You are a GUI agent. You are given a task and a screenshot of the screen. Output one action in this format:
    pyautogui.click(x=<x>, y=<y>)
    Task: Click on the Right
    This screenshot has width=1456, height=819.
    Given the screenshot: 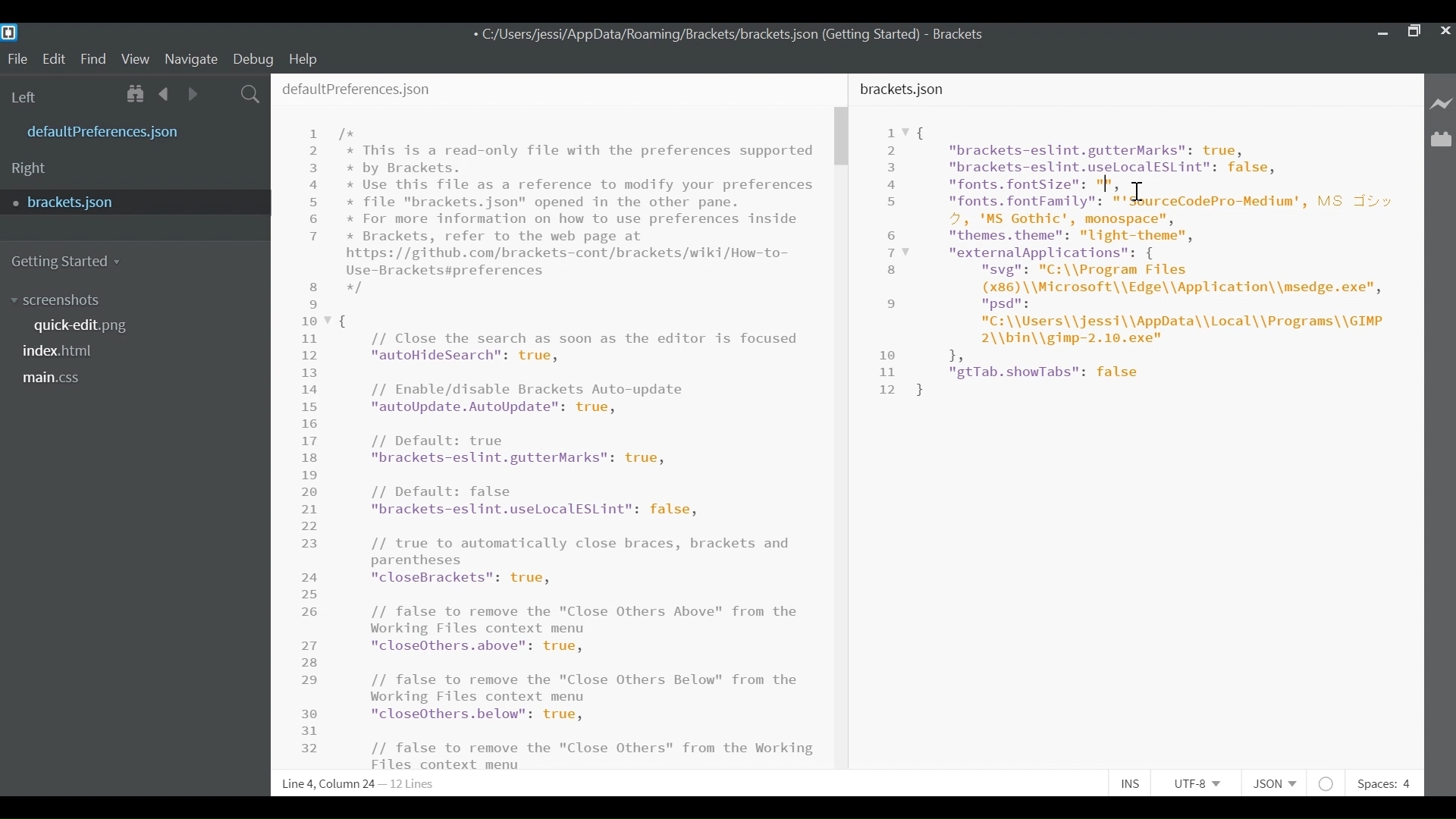 What is the action you would take?
    pyautogui.click(x=30, y=168)
    